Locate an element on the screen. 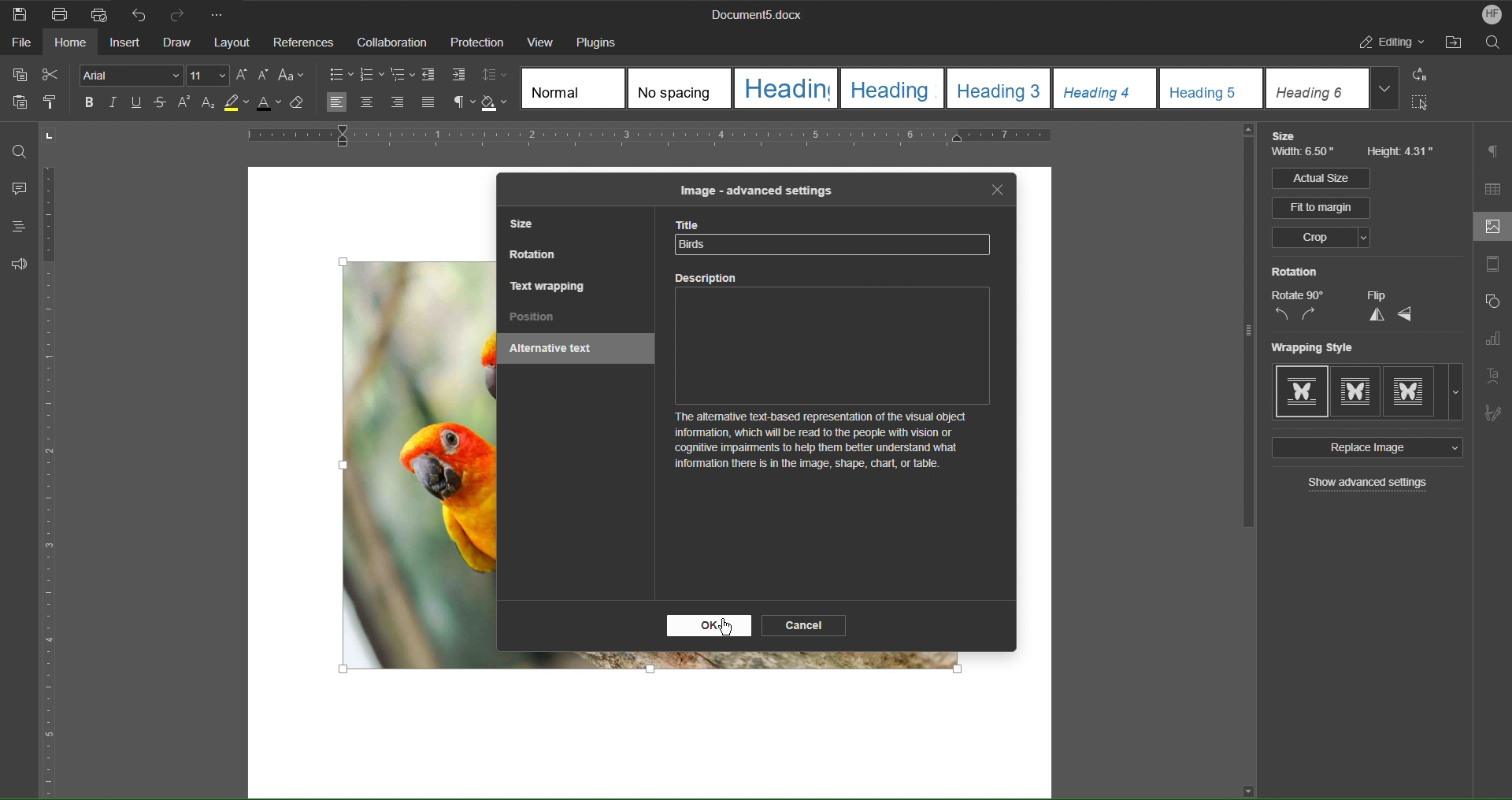  Editing is located at coordinates (1393, 45).